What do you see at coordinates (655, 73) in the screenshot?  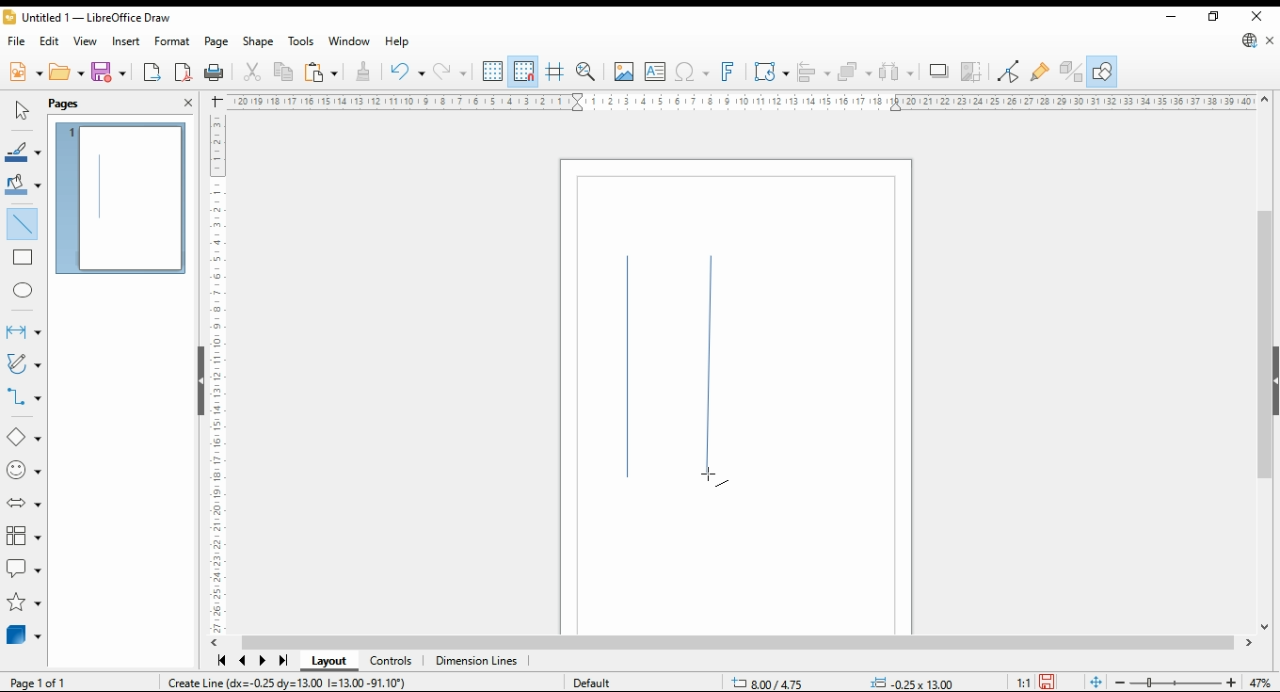 I see `insert textbox` at bounding box center [655, 73].